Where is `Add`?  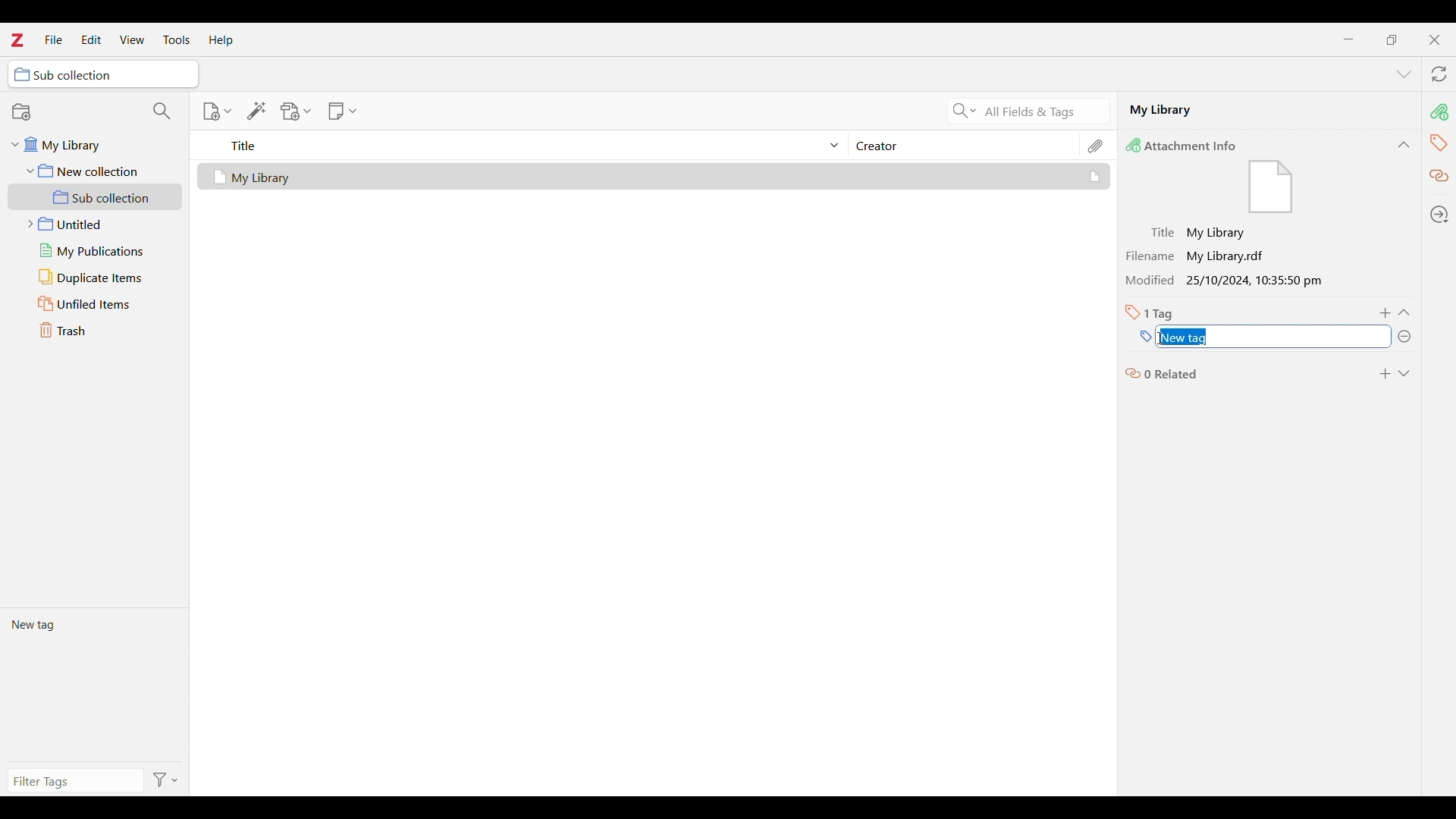 Add is located at coordinates (1386, 313).